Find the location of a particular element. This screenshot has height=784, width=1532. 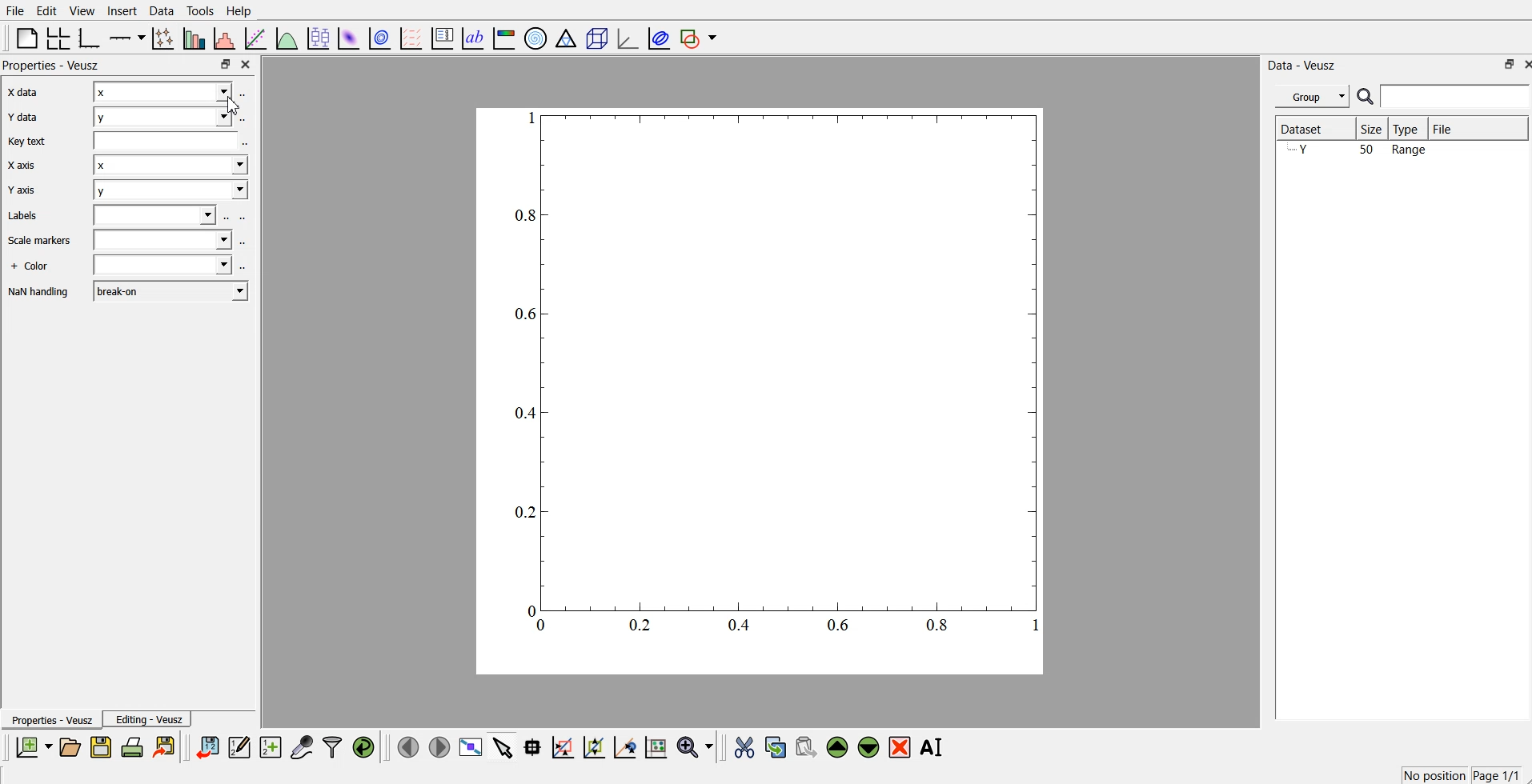

3d graph is located at coordinates (627, 35).